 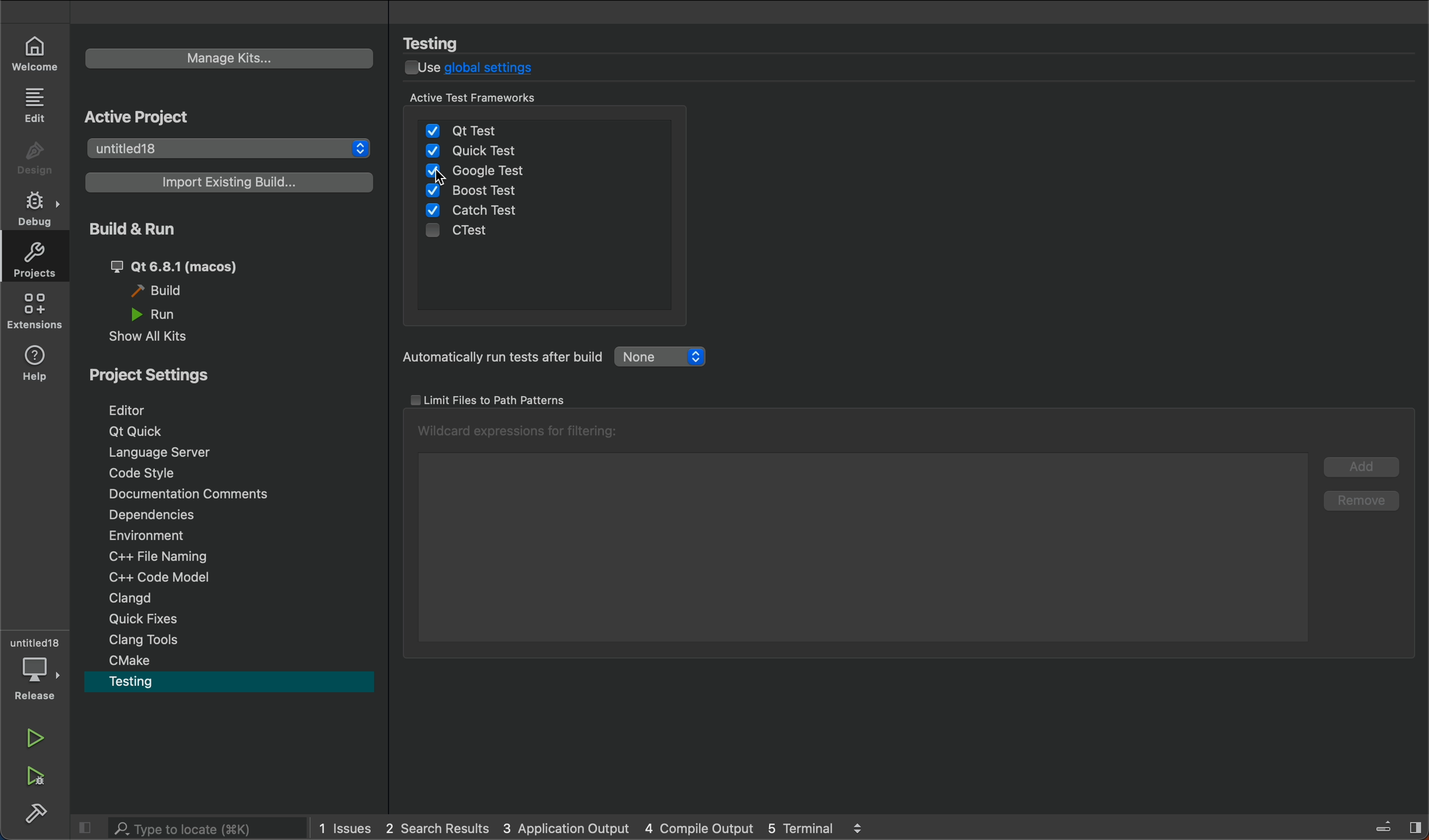 What do you see at coordinates (234, 600) in the screenshot?
I see `clangd` at bounding box center [234, 600].